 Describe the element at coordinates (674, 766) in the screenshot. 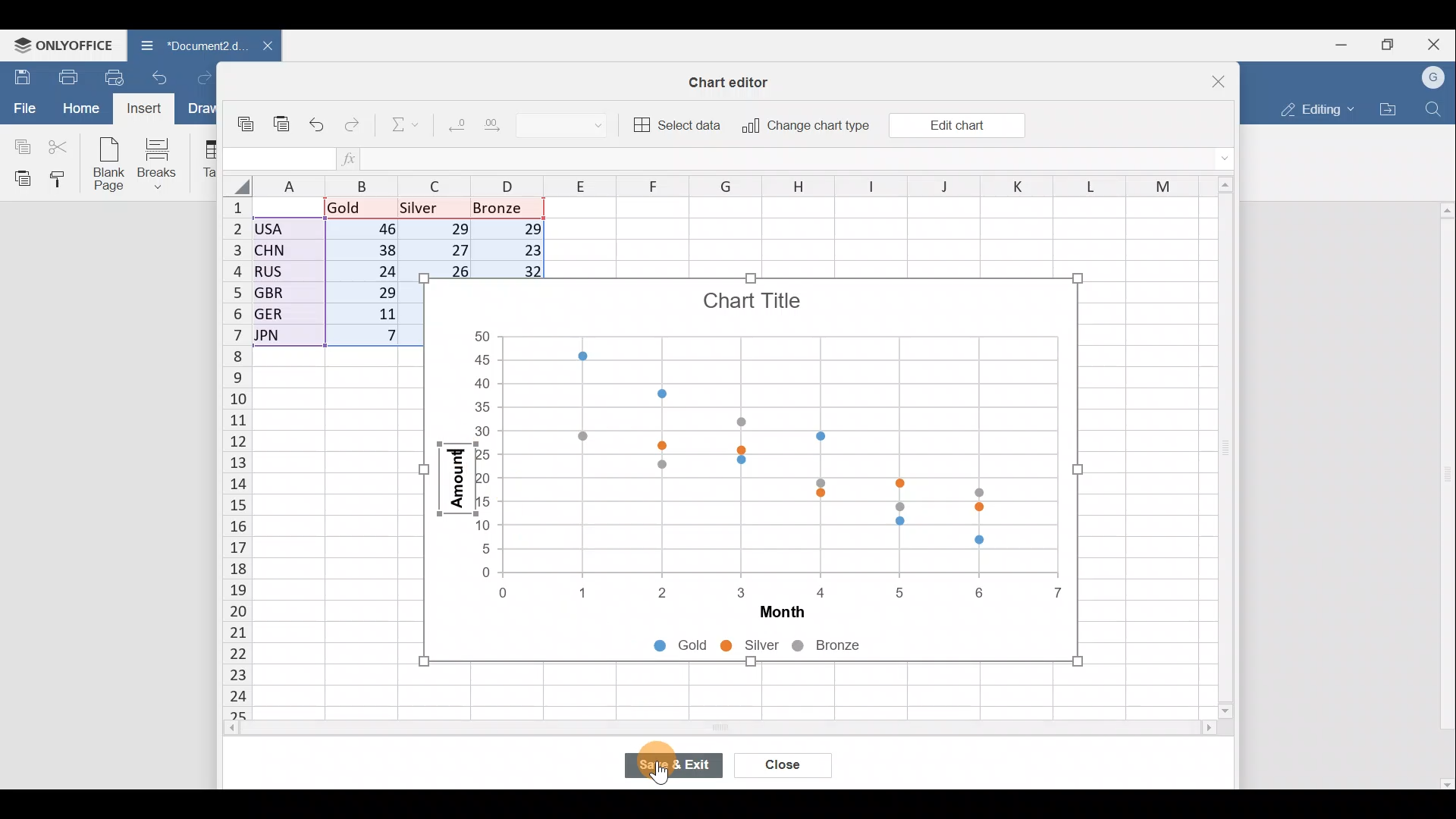

I see `Save & exit` at that location.